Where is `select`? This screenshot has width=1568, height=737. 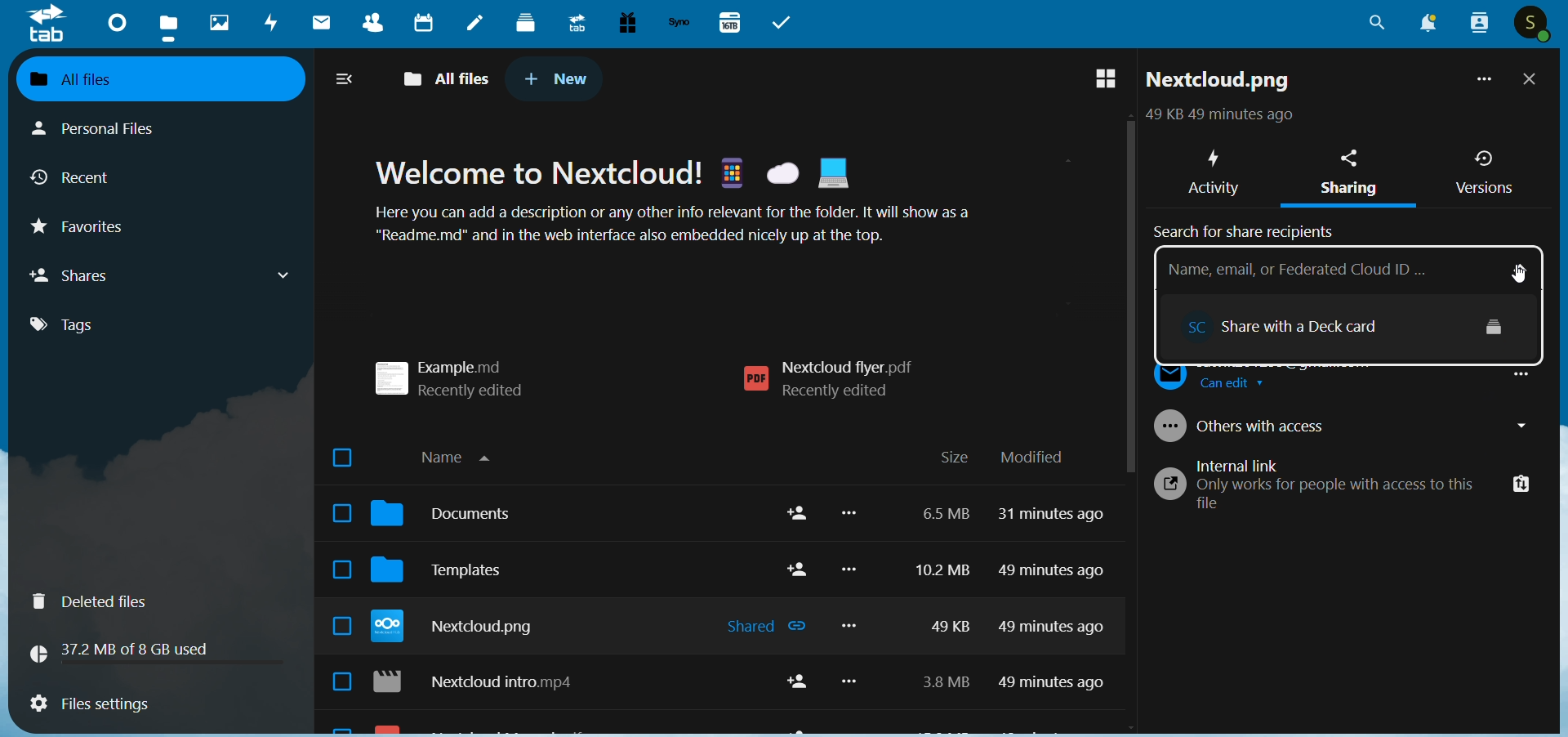
select is located at coordinates (335, 572).